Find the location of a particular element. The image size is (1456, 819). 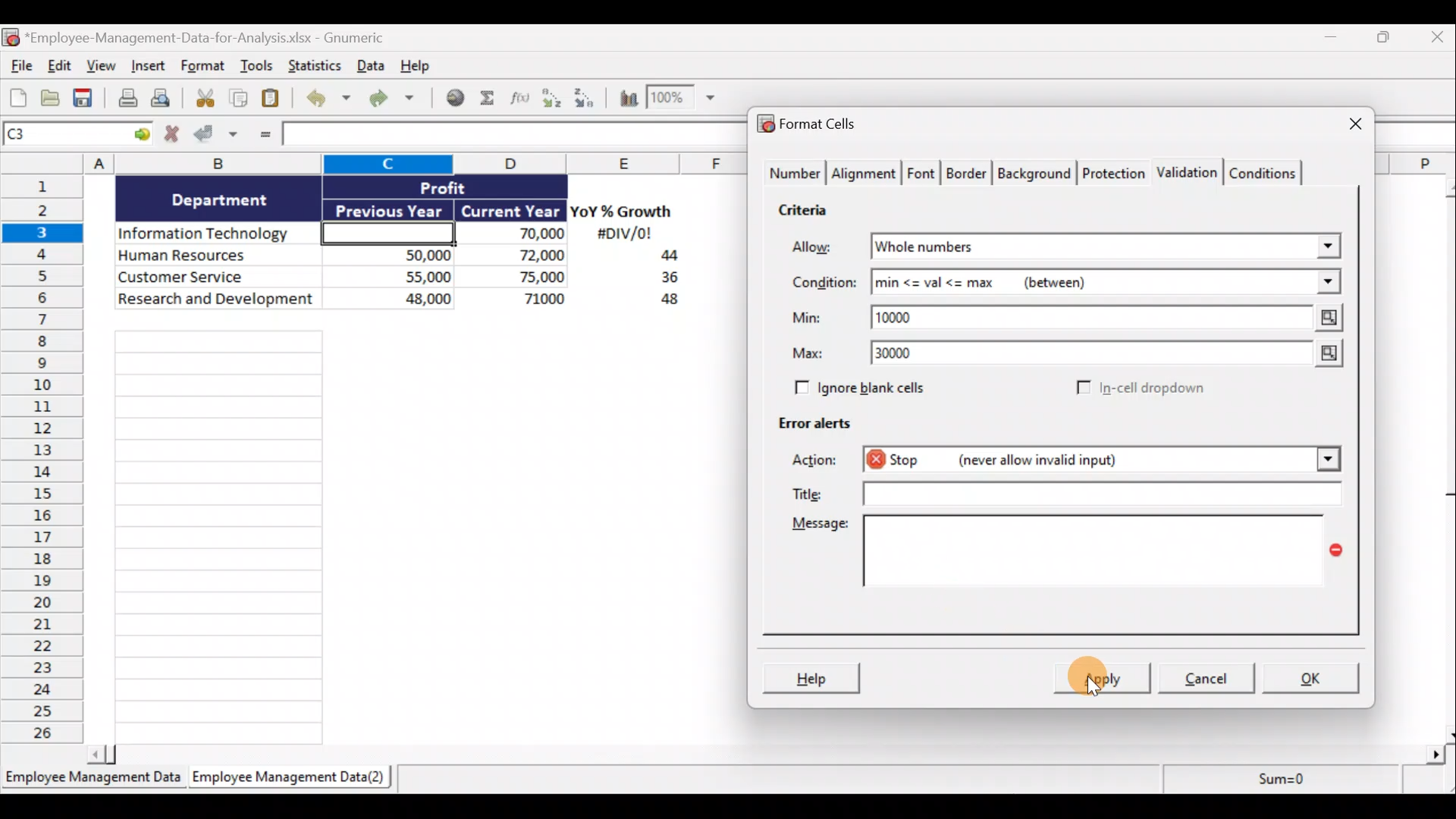

Criteria is located at coordinates (805, 212).